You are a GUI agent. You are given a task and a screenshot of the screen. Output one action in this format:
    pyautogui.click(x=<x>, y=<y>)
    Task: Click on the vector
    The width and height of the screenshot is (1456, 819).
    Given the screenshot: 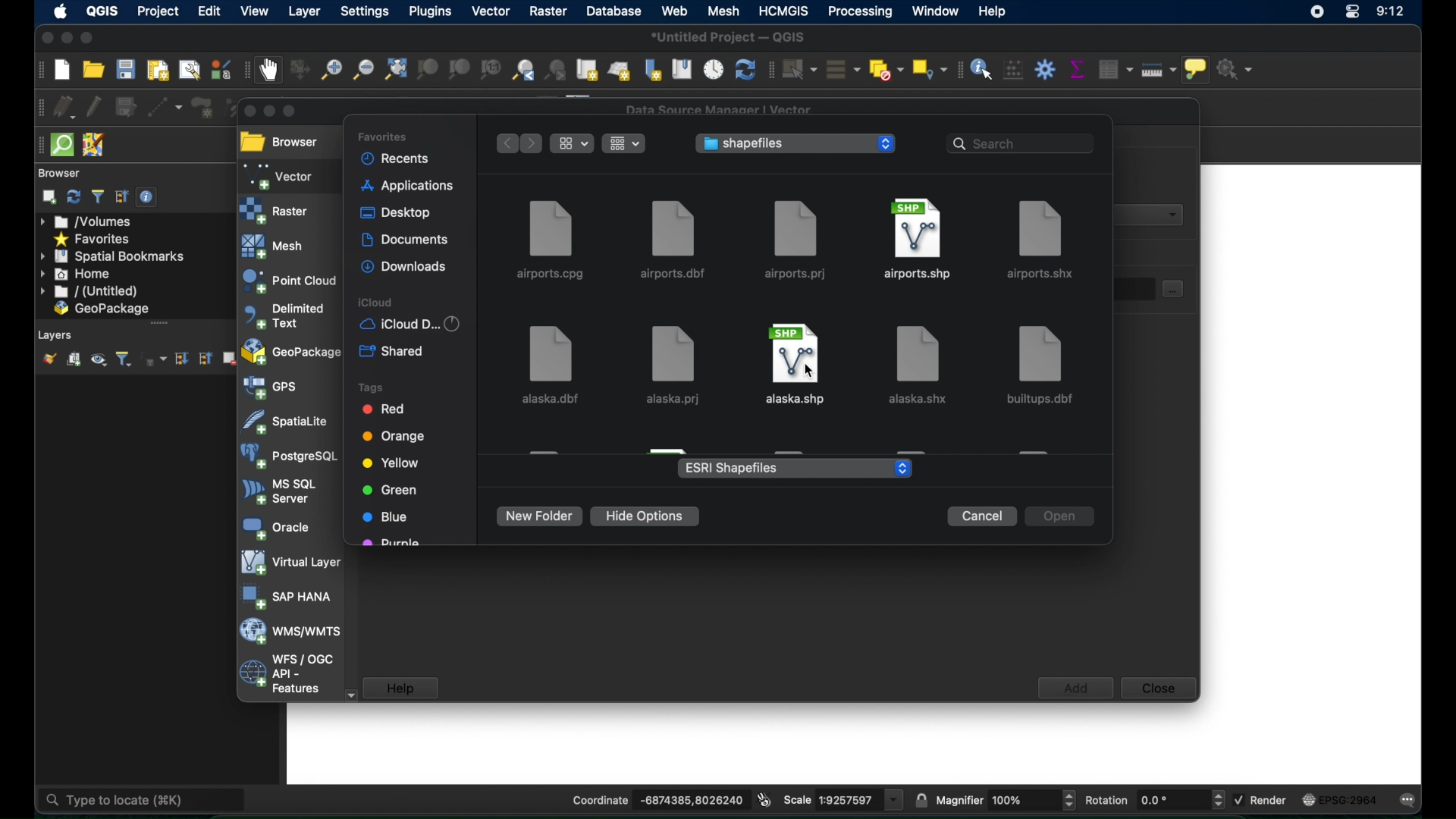 What is the action you would take?
    pyautogui.click(x=490, y=11)
    